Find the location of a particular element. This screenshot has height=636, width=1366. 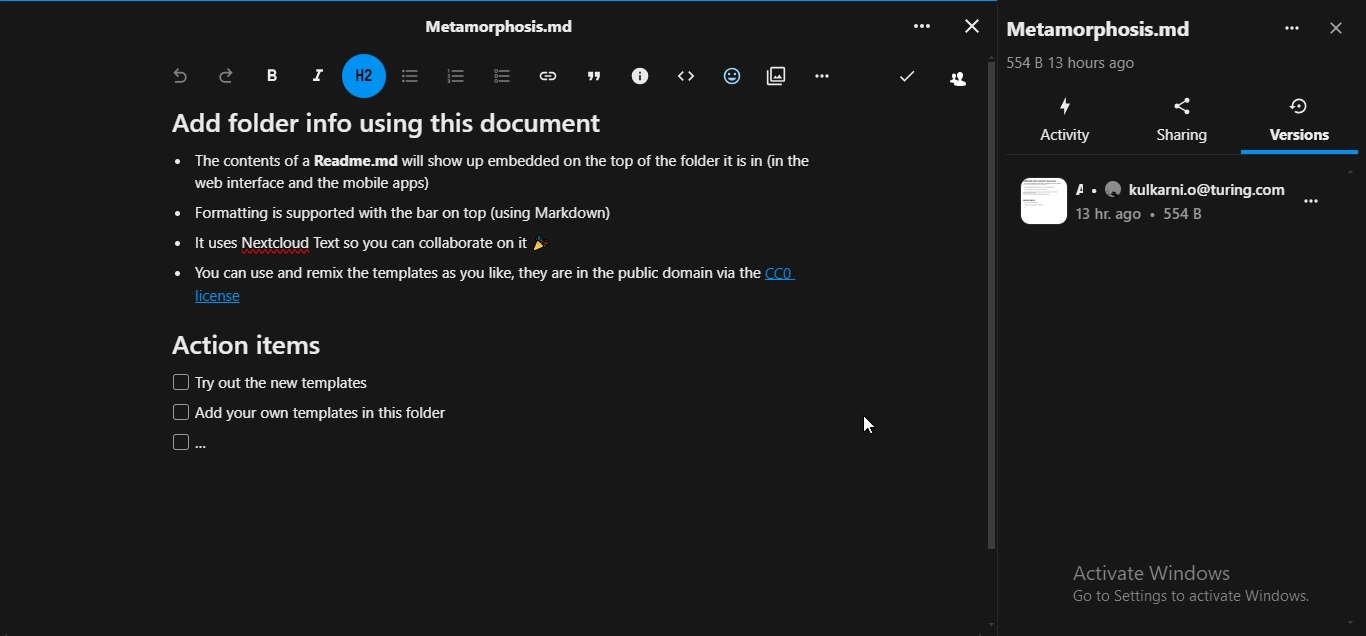

remaining actions is located at coordinates (821, 75).